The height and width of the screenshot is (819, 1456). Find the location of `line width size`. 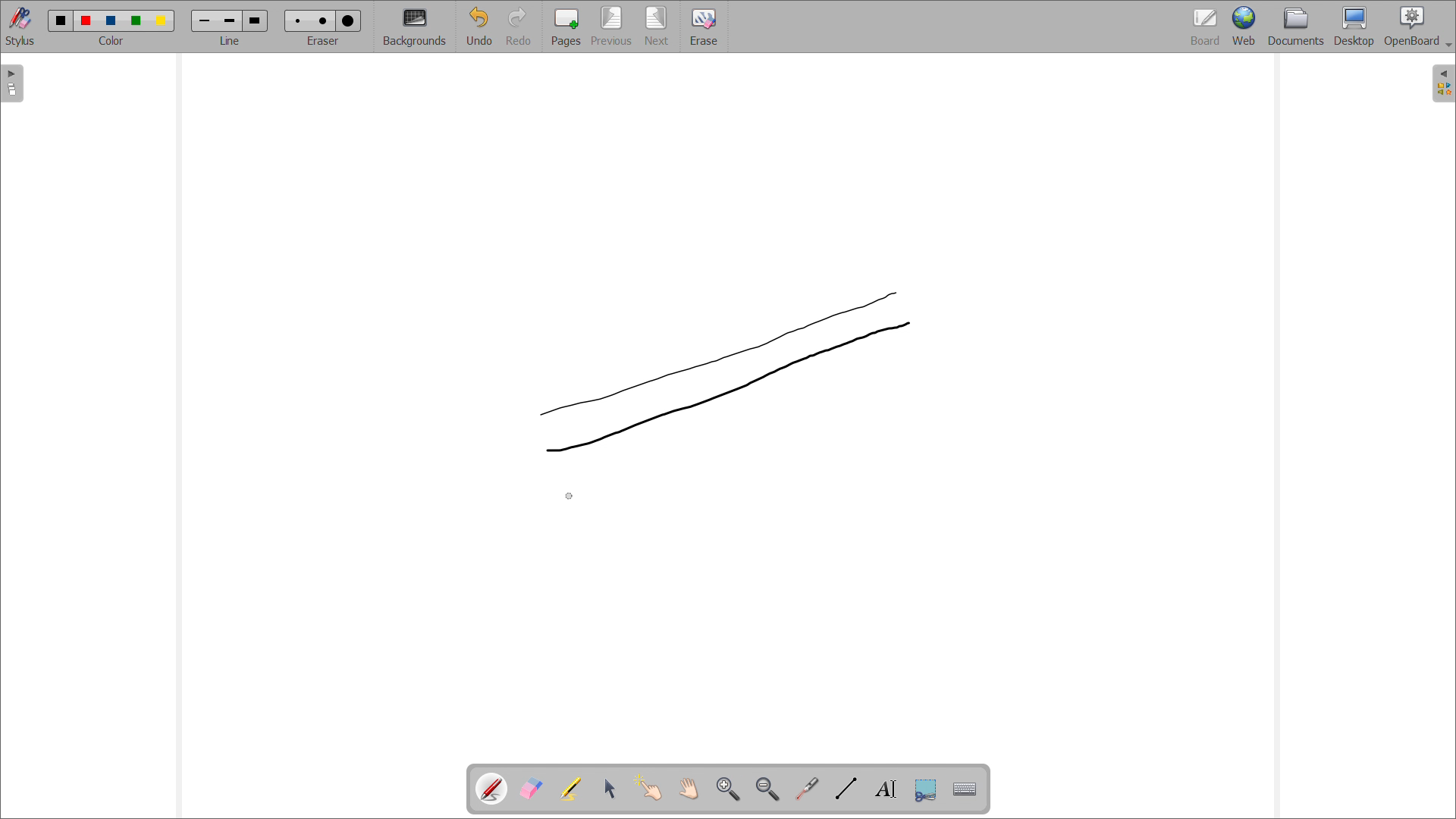

line width size is located at coordinates (206, 22).